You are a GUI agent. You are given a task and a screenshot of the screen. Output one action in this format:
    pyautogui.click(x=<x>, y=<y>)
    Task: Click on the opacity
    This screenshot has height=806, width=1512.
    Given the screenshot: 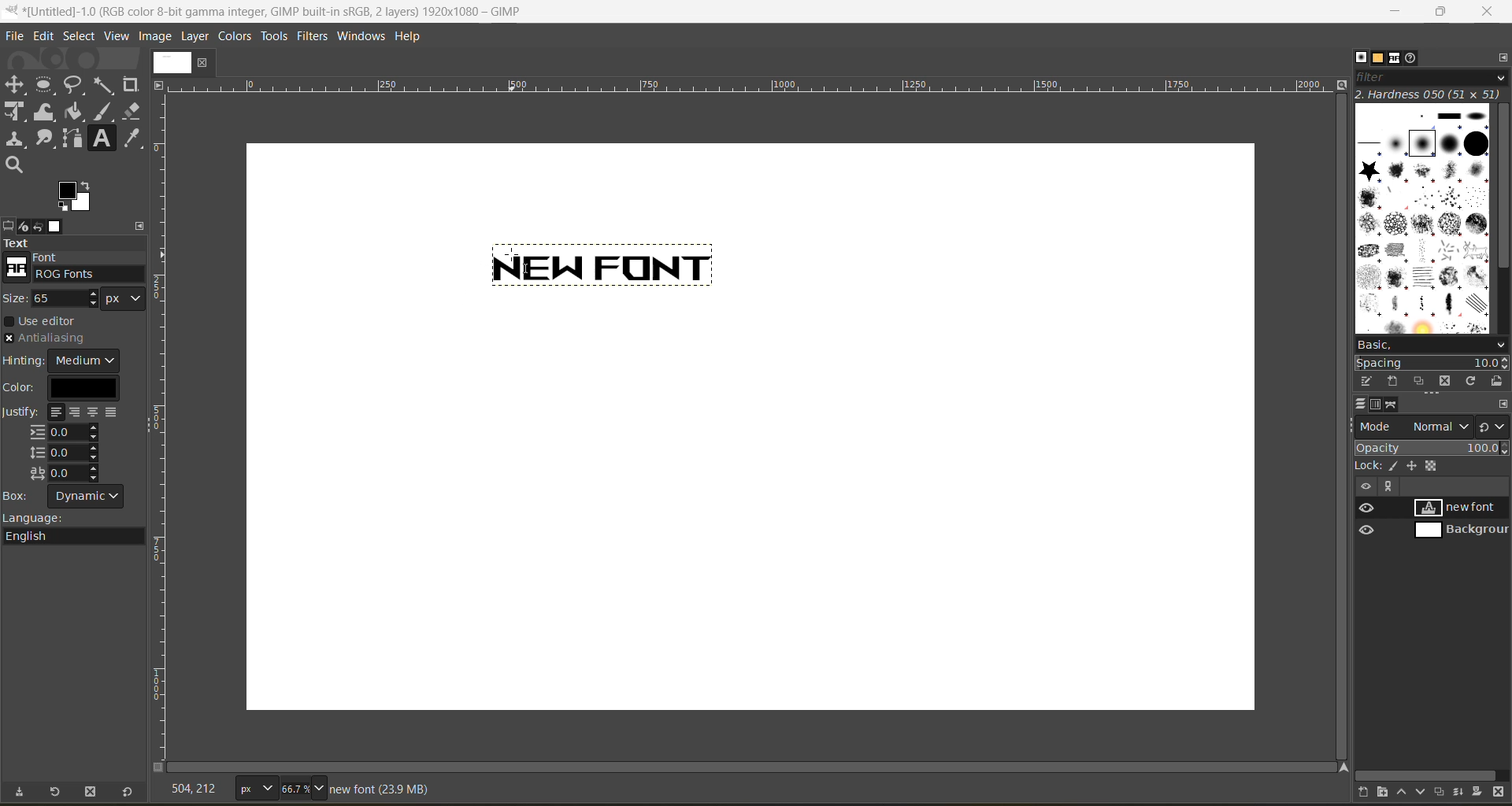 What is the action you would take?
    pyautogui.click(x=1432, y=447)
    